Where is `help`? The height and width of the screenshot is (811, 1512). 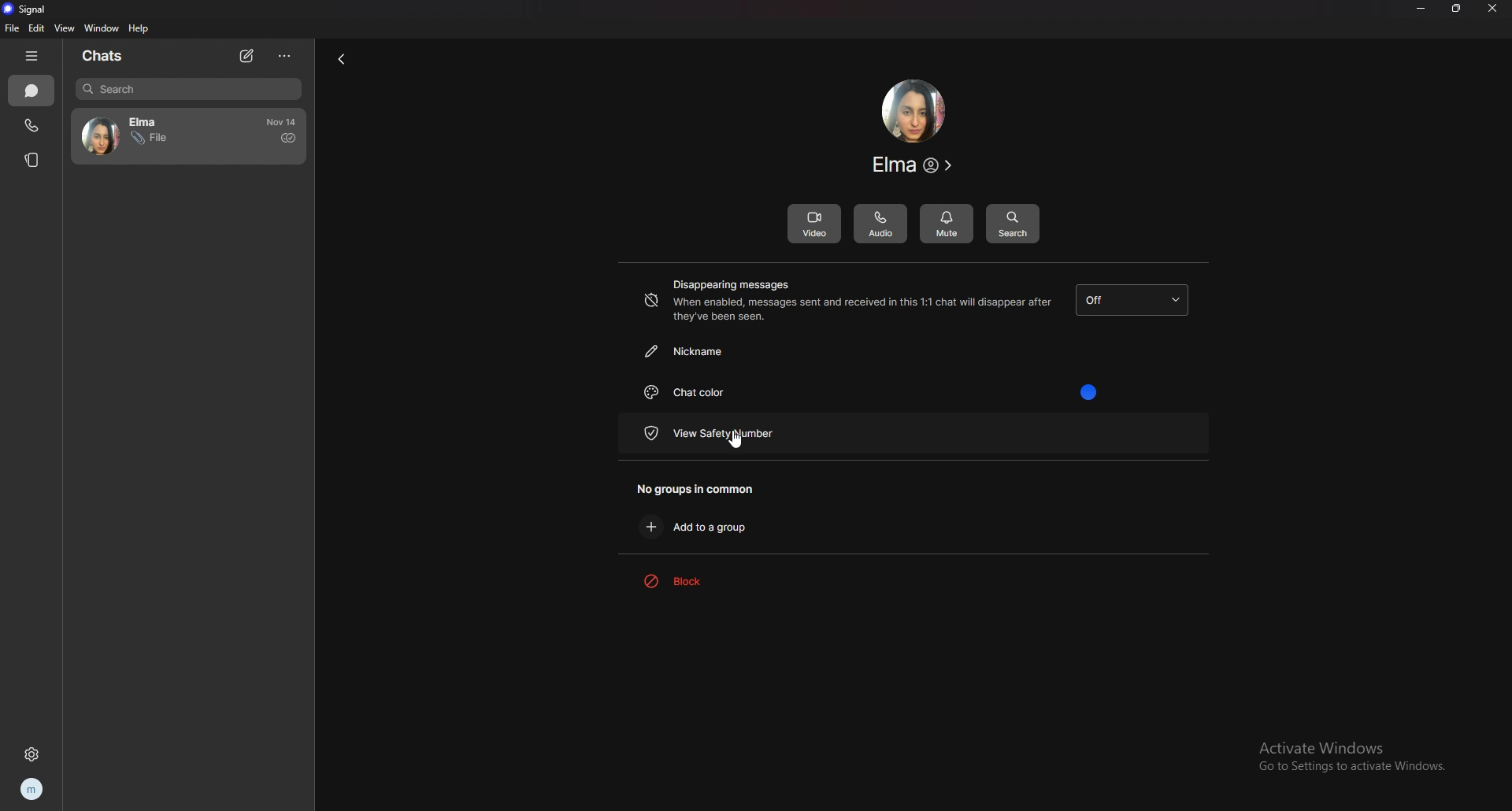 help is located at coordinates (140, 29).